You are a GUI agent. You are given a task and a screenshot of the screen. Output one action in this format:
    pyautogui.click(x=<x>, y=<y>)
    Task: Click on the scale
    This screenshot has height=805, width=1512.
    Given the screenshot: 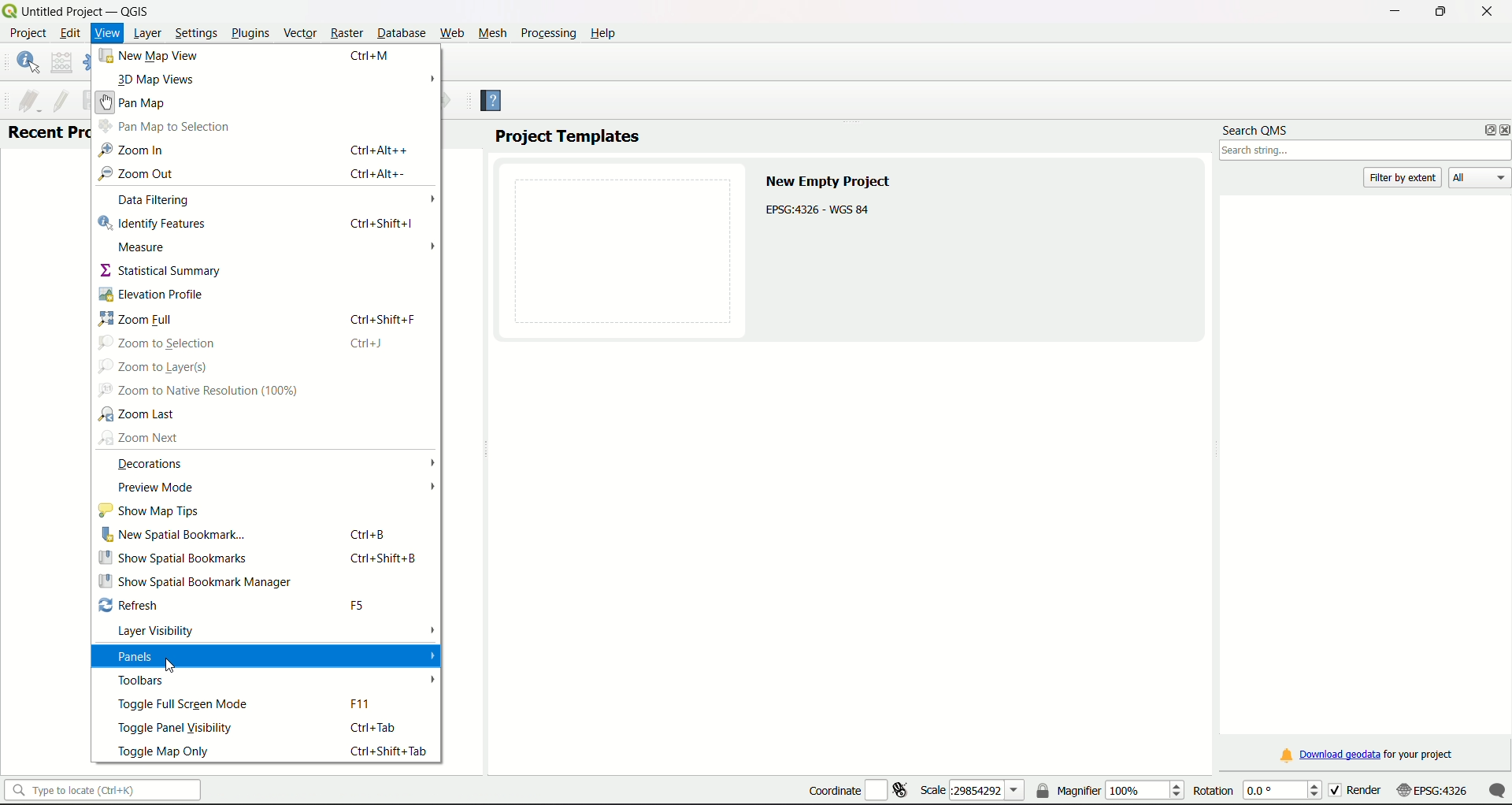 What is the action you would take?
    pyautogui.click(x=1461, y=792)
    